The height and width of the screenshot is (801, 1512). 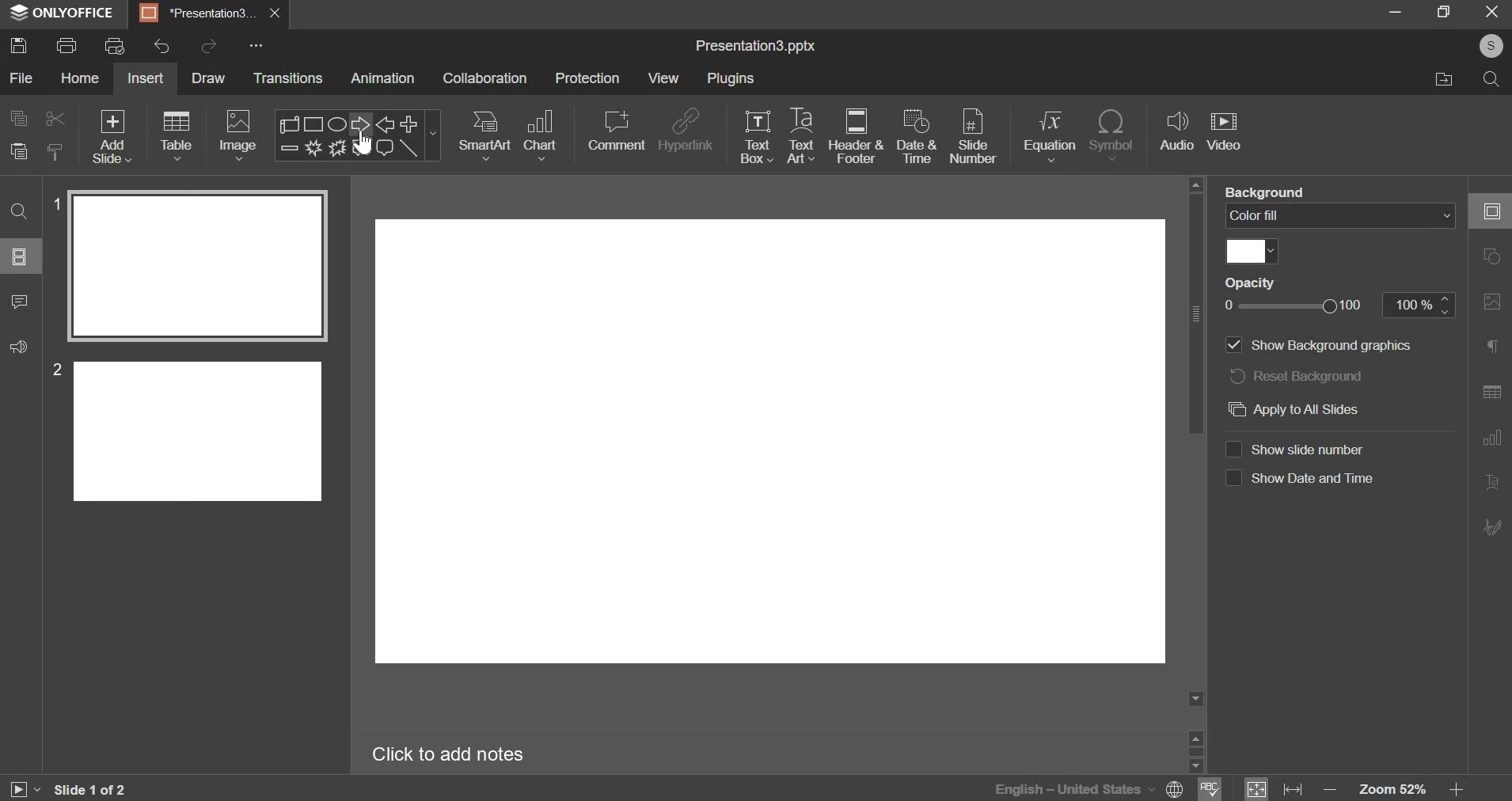 What do you see at coordinates (973, 138) in the screenshot?
I see `slide number` at bounding box center [973, 138].